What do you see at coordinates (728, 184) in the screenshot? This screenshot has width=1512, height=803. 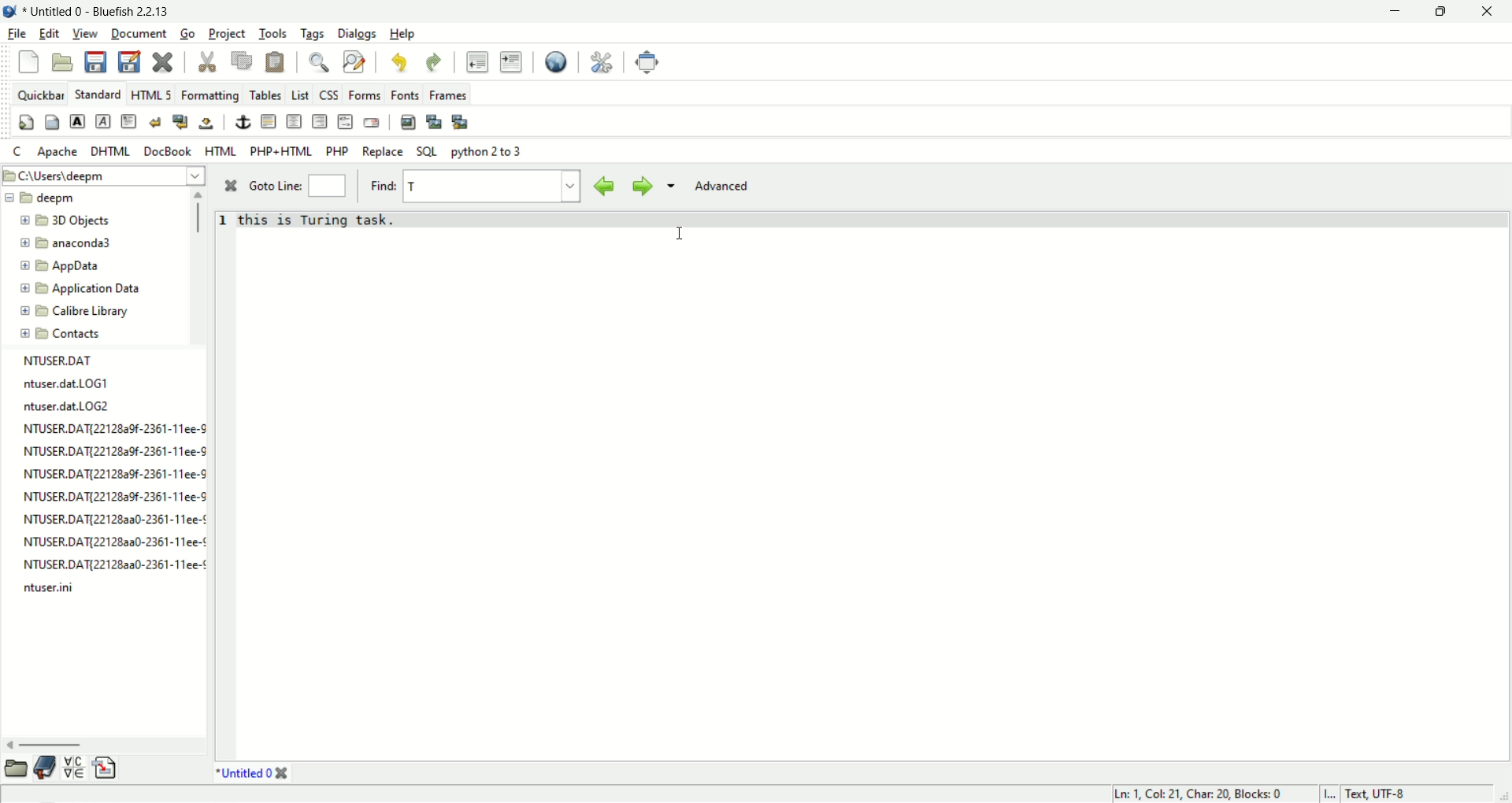 I see `advanced` at bounding box center [728, 184].